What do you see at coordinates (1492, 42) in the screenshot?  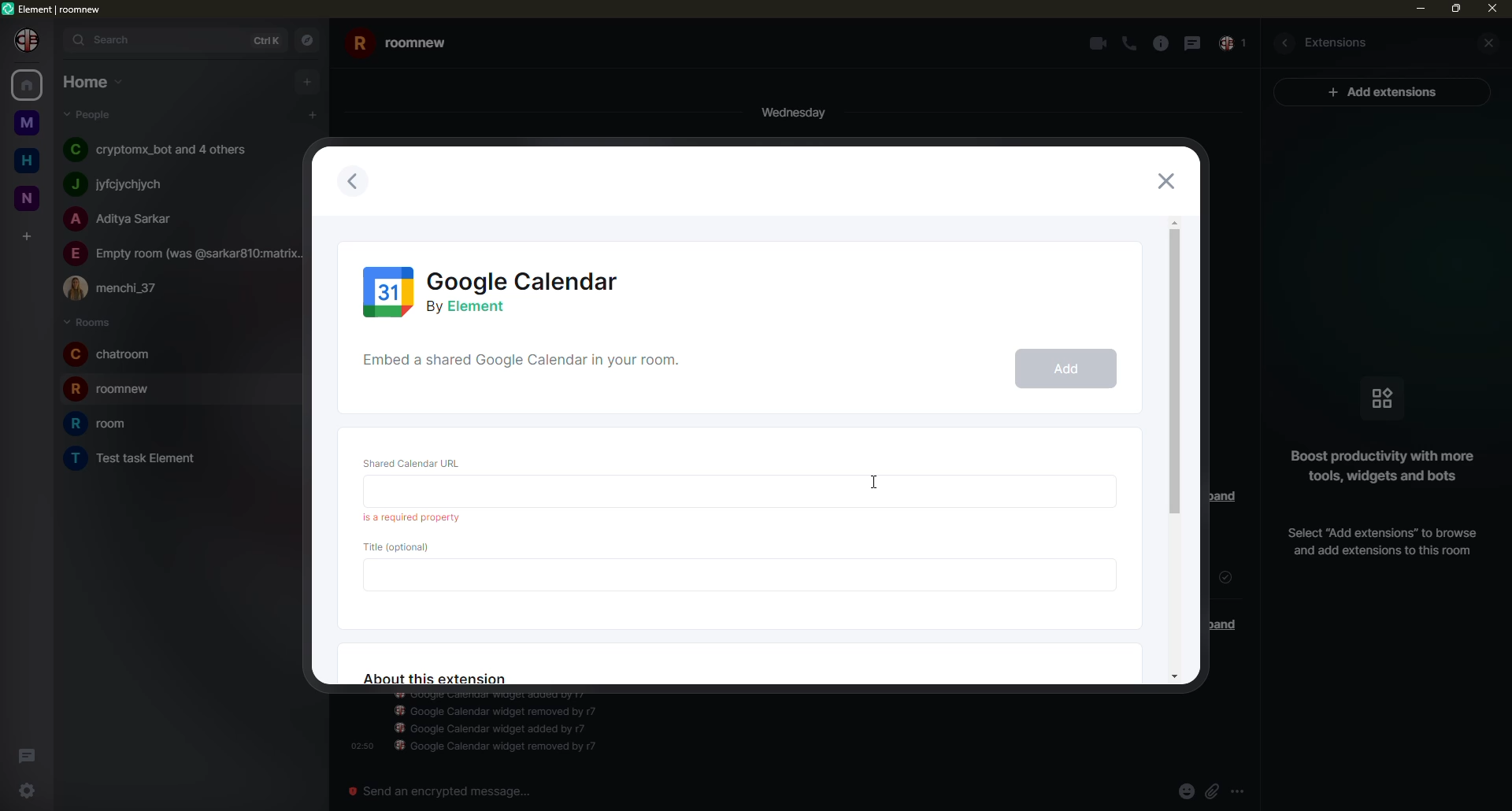 I see `close` at bounding box center [1492, 42].